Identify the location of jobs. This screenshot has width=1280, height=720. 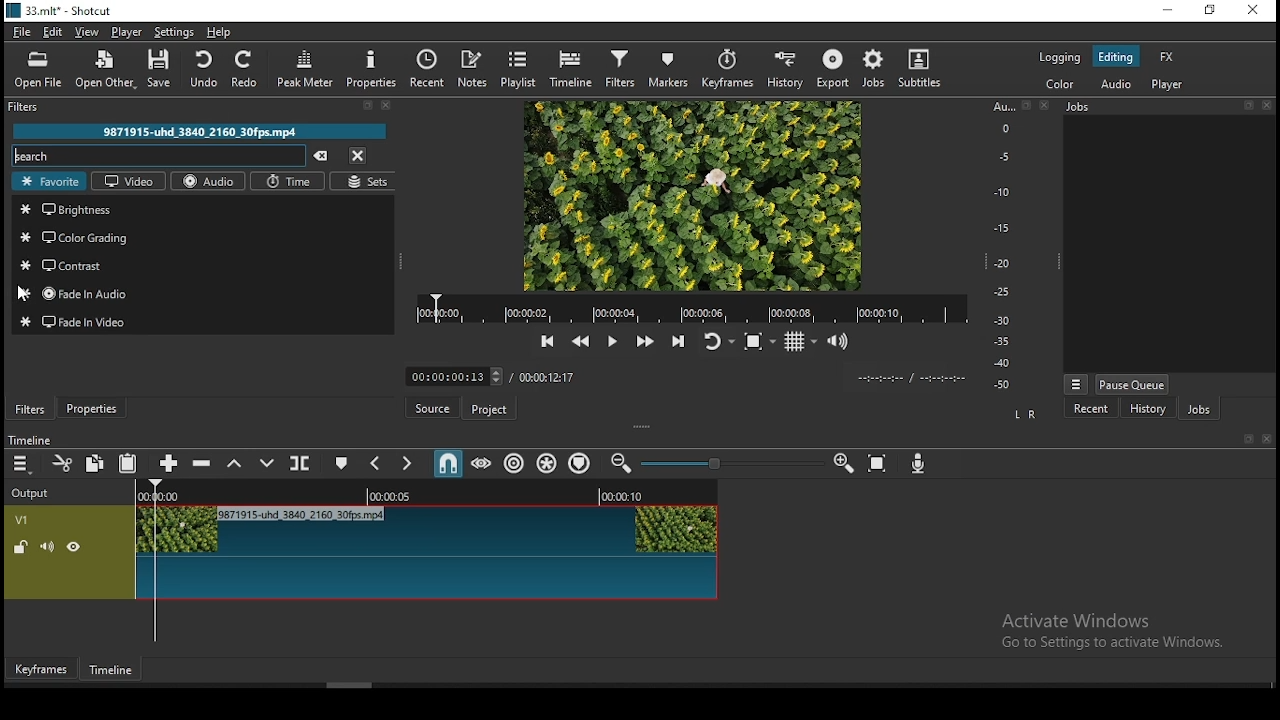
(874, 67).